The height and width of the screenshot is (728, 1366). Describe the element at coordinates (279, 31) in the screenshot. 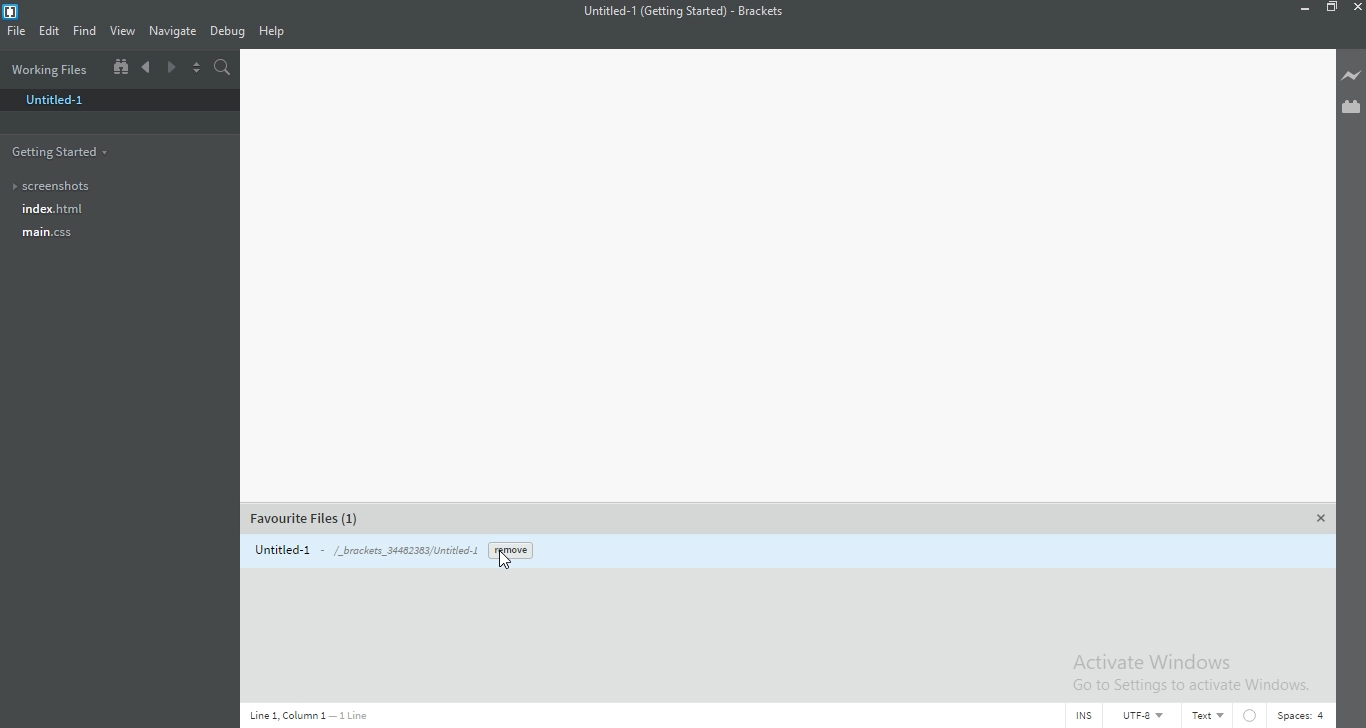

I see `Help` at that location.